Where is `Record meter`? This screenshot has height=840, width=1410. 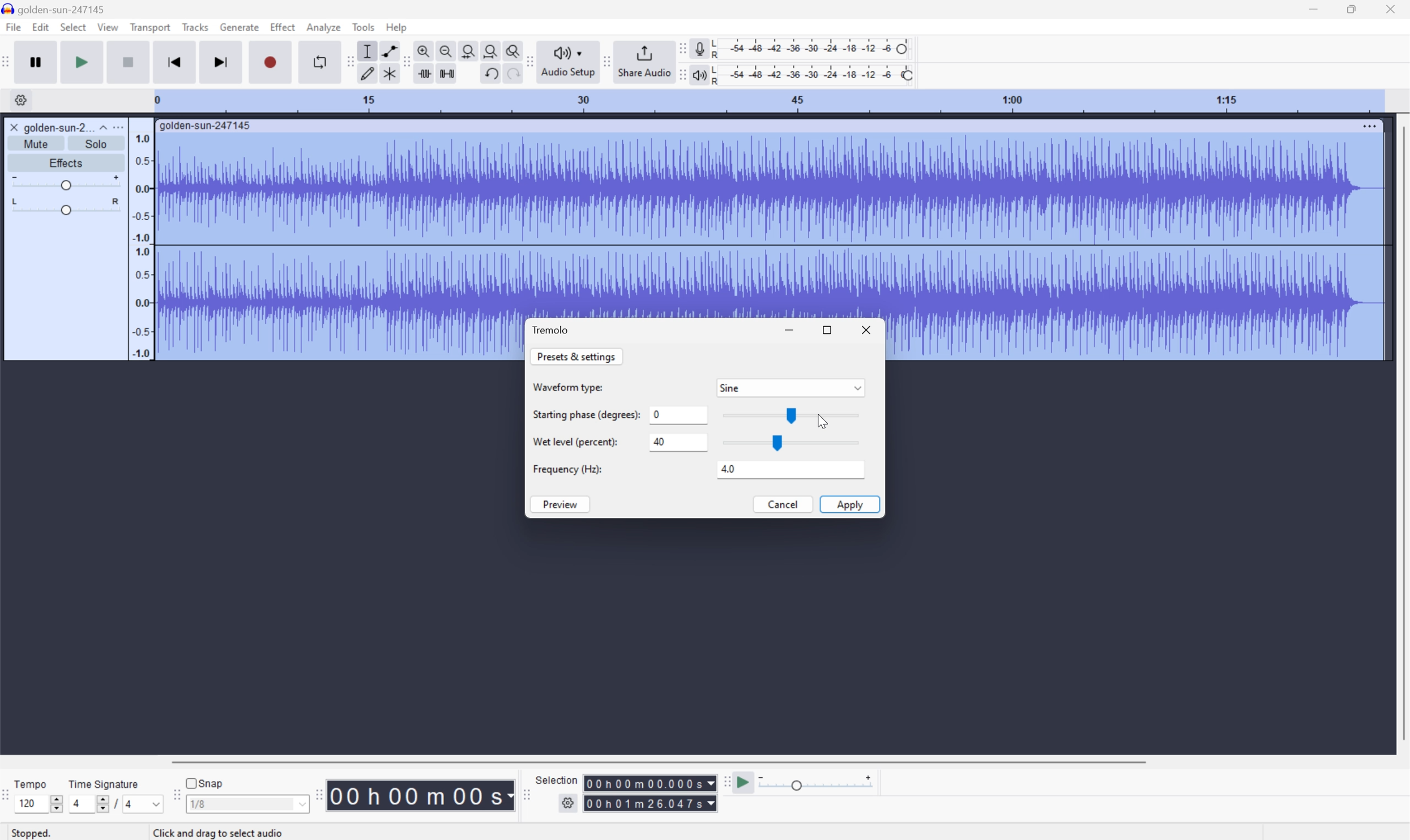
Record meter is located at coordinates (699, 48).